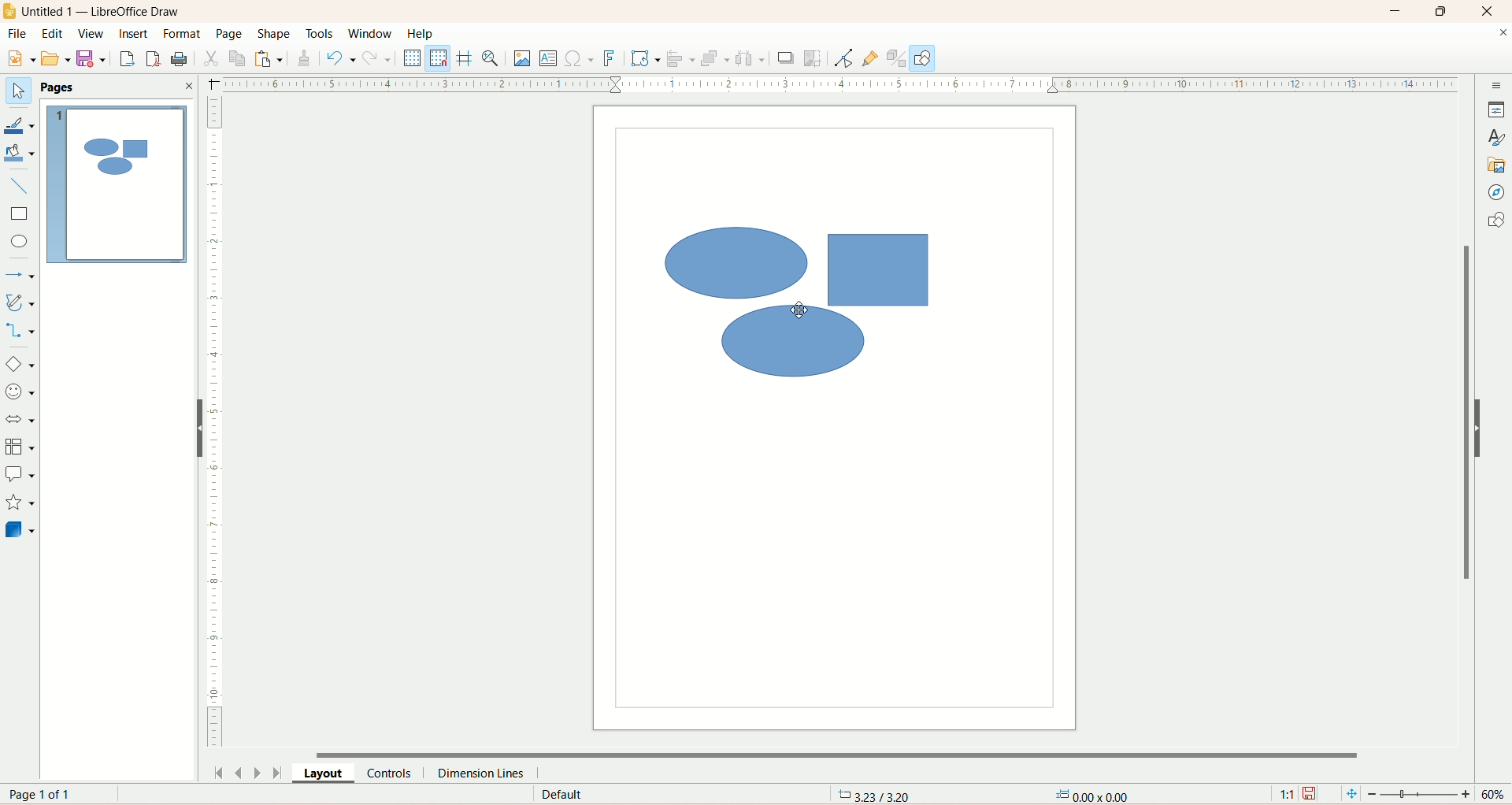 The image size is (1512, 805). I want to click on toggle extrusion, so click(895, 59).